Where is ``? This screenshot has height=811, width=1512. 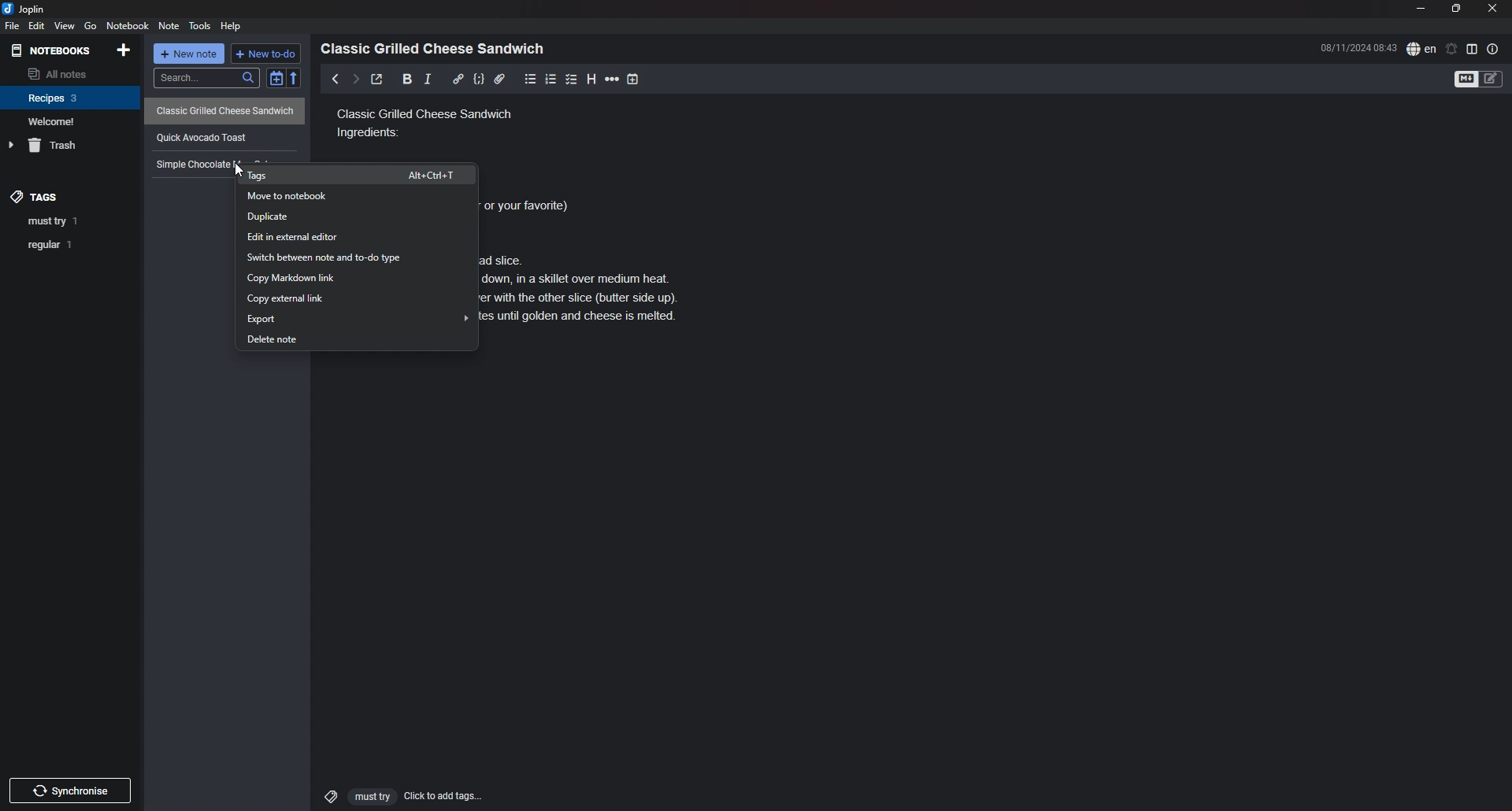
 is located at coordinates (70, 787).